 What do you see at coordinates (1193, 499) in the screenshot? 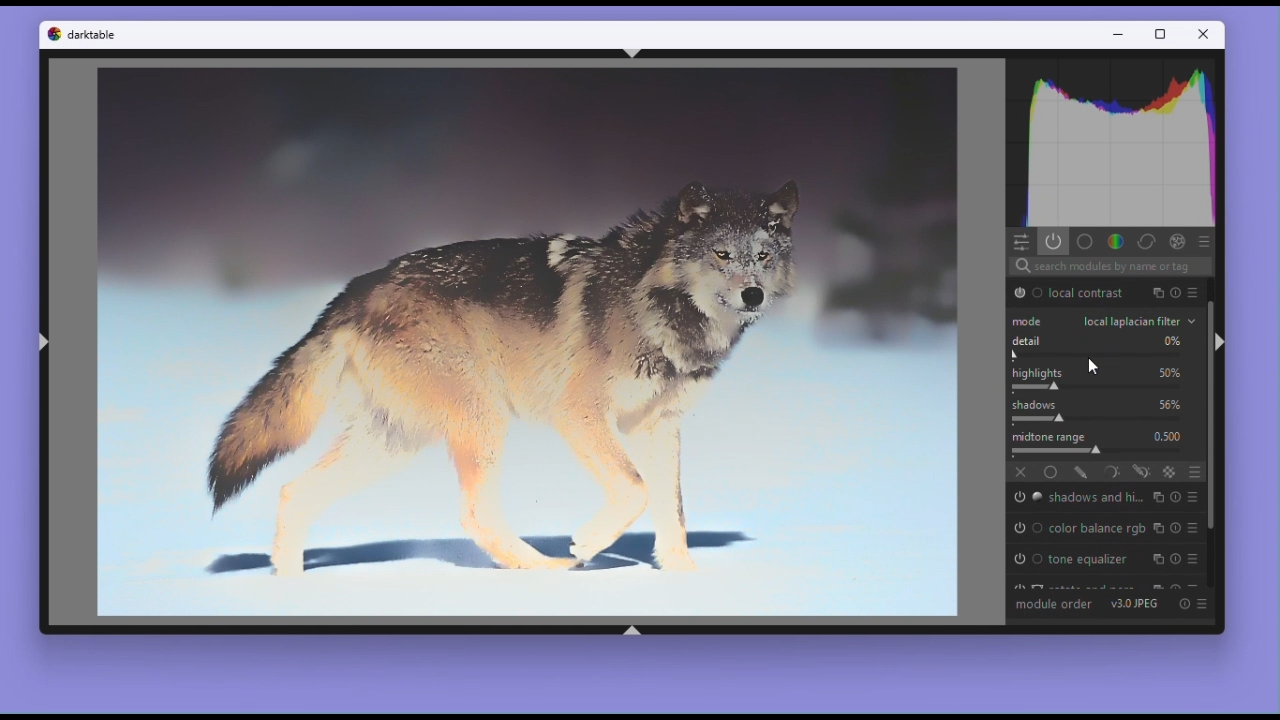
I see `presets` at bounding box center [1193, 499].